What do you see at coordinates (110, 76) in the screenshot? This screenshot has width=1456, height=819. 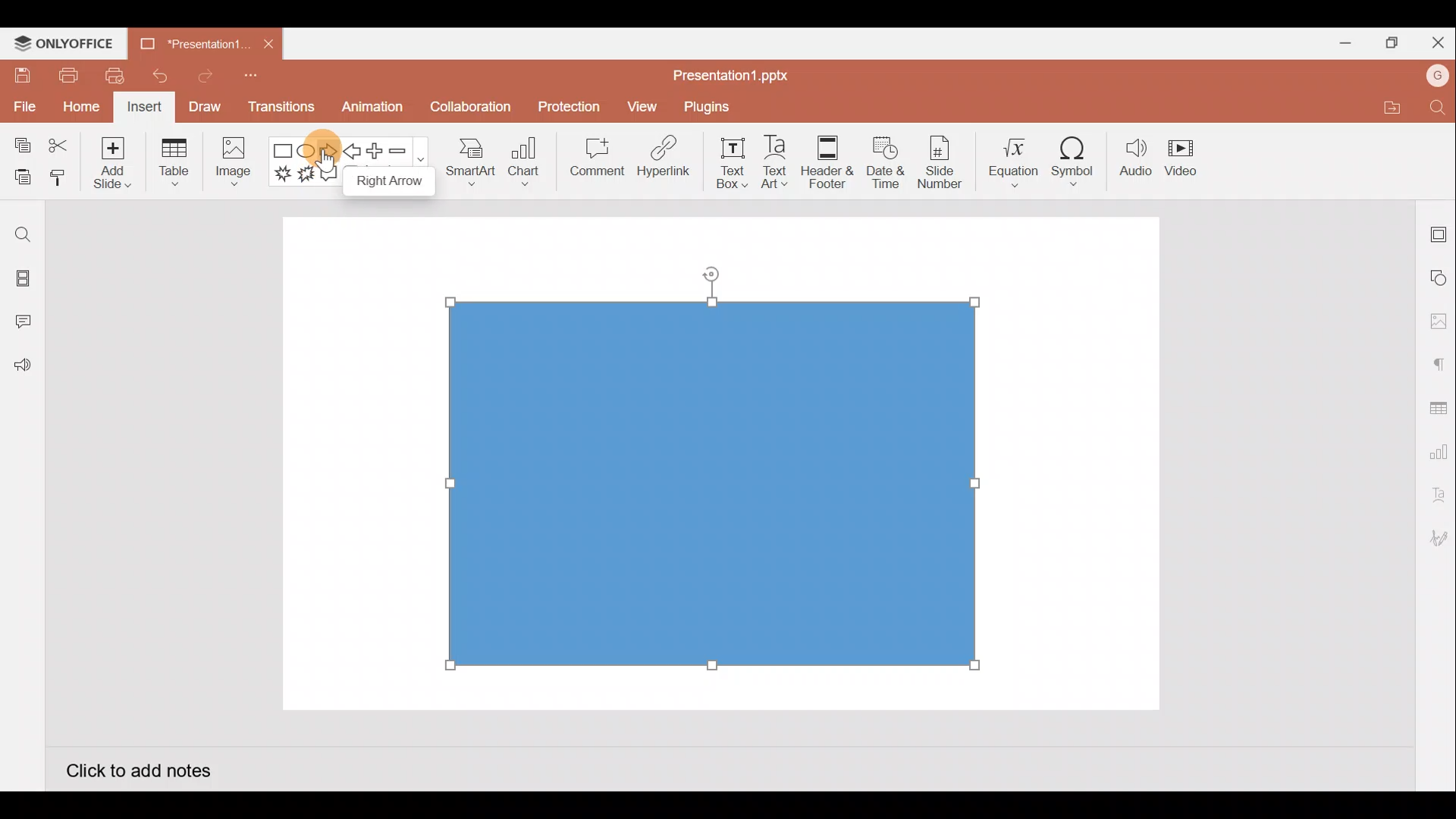 I see `Quick print` at bounding box center [110, 76].